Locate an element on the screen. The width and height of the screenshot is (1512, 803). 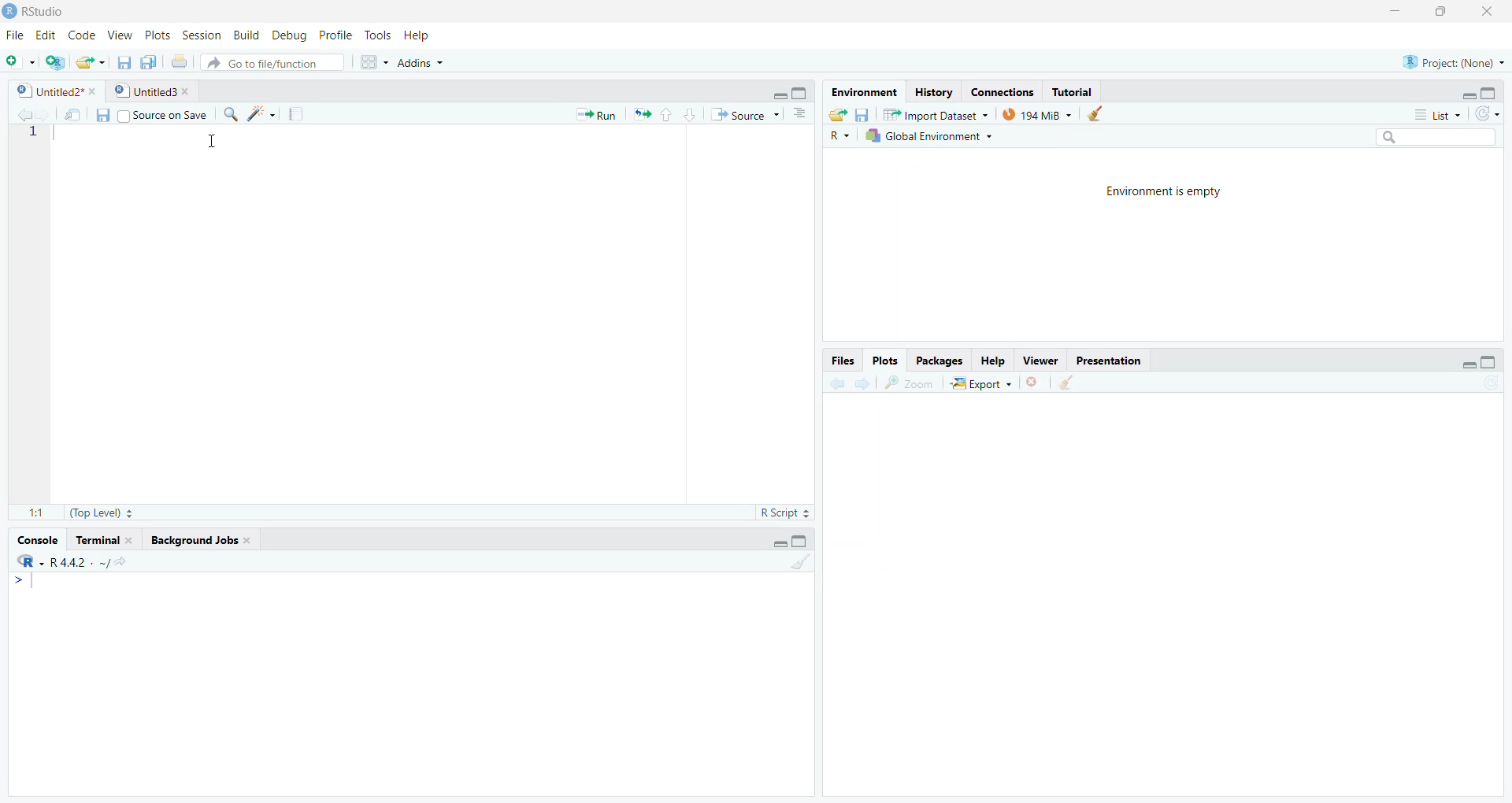
File is located at coordinates (16, 36).